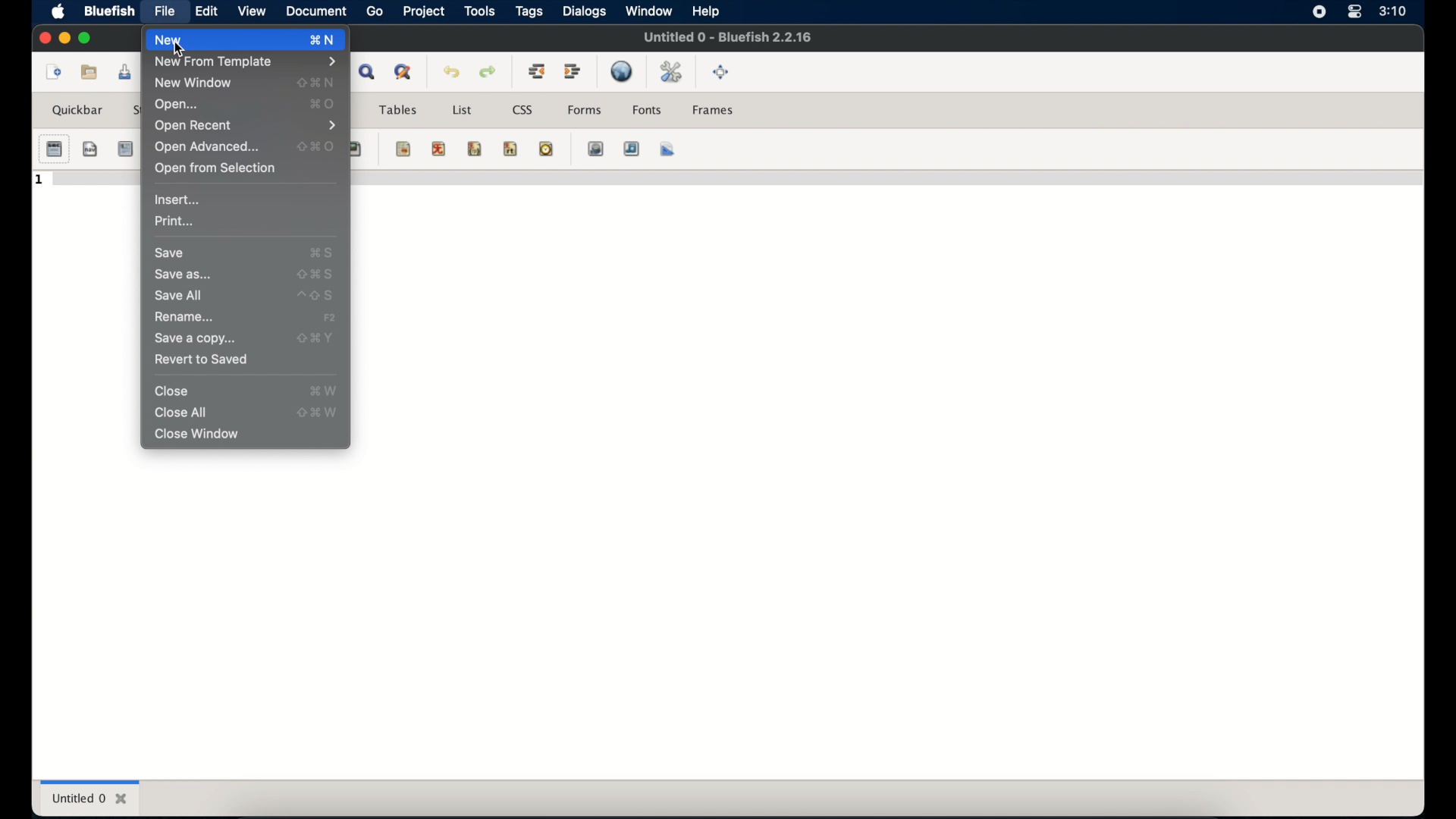 This screenshot has height=819, width=1456. I want to click on fonts, so click(648, 110).